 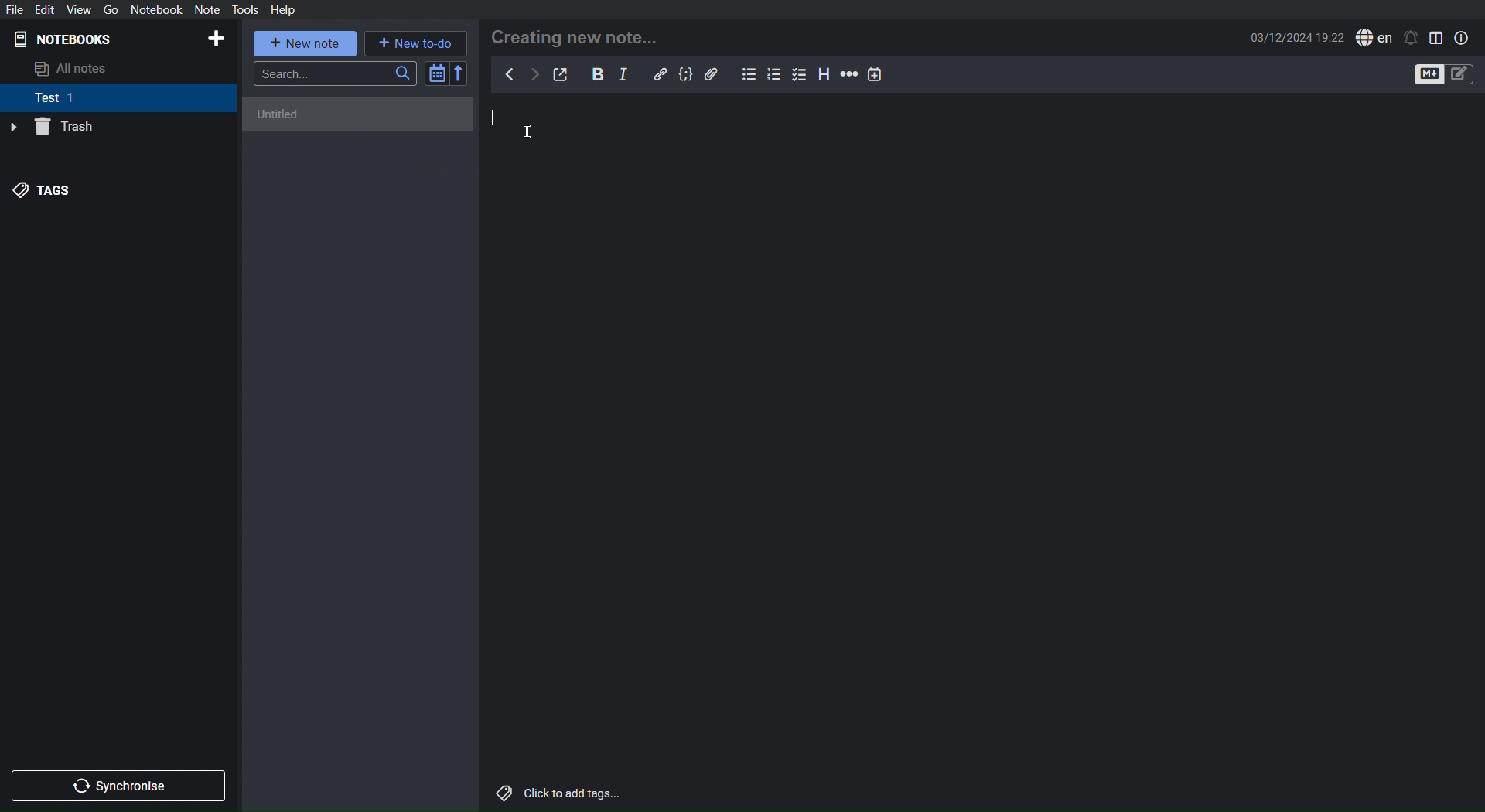 What do you see at coordinates (63, 39) in the screenshot?
I see `Notebooks` at bounding box center [63, 39].